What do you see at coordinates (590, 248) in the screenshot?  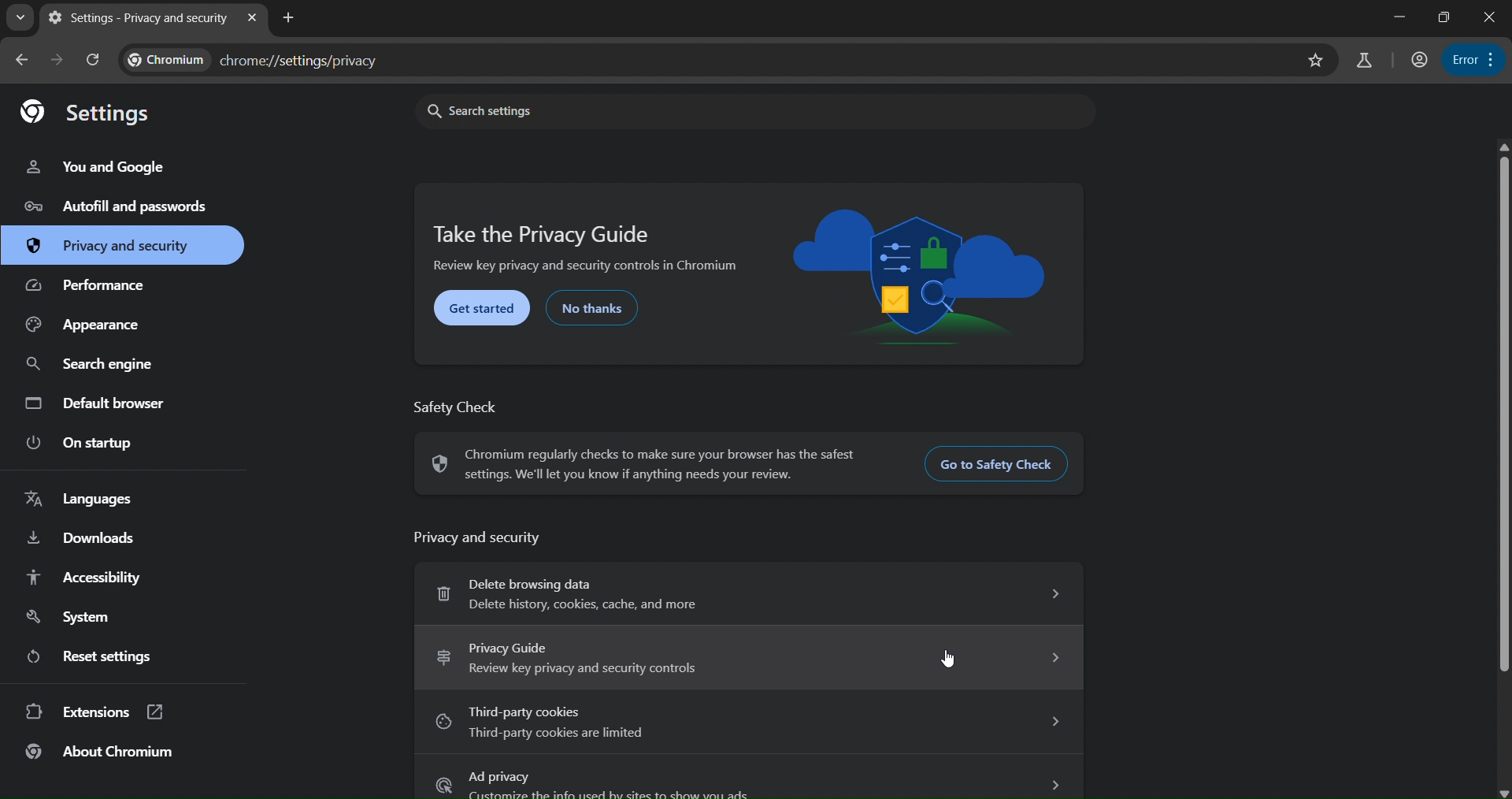 I see `Take the Privacy Guide
Review key privacy and security controls in Chromium` at bounding box center [590, 248].